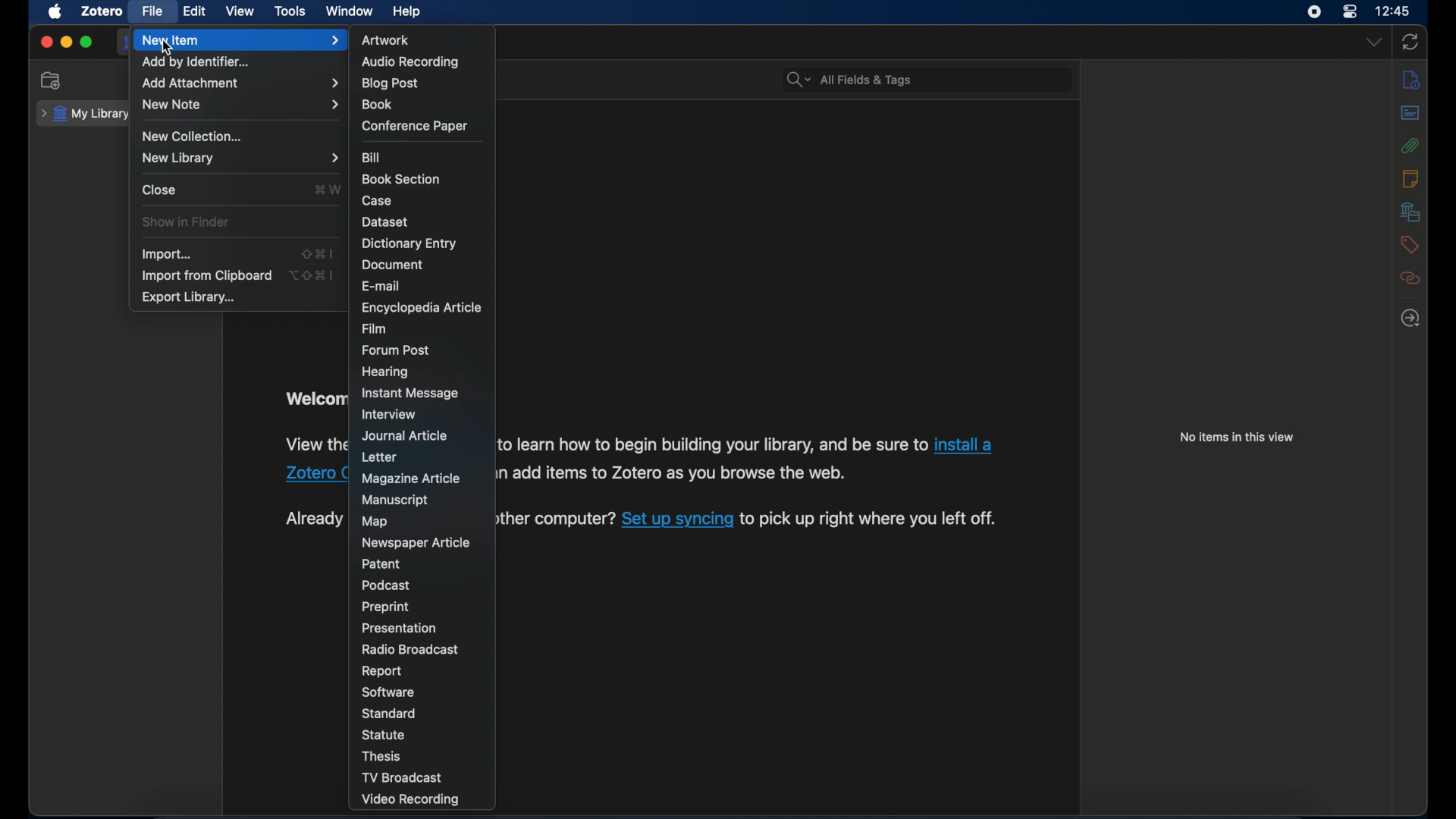 The width and height of the screenshot is (1456, 819). What do you see at coordinates (413, 62) in the screenshot?
I see `audio recording` at bounding box center [413, 62].